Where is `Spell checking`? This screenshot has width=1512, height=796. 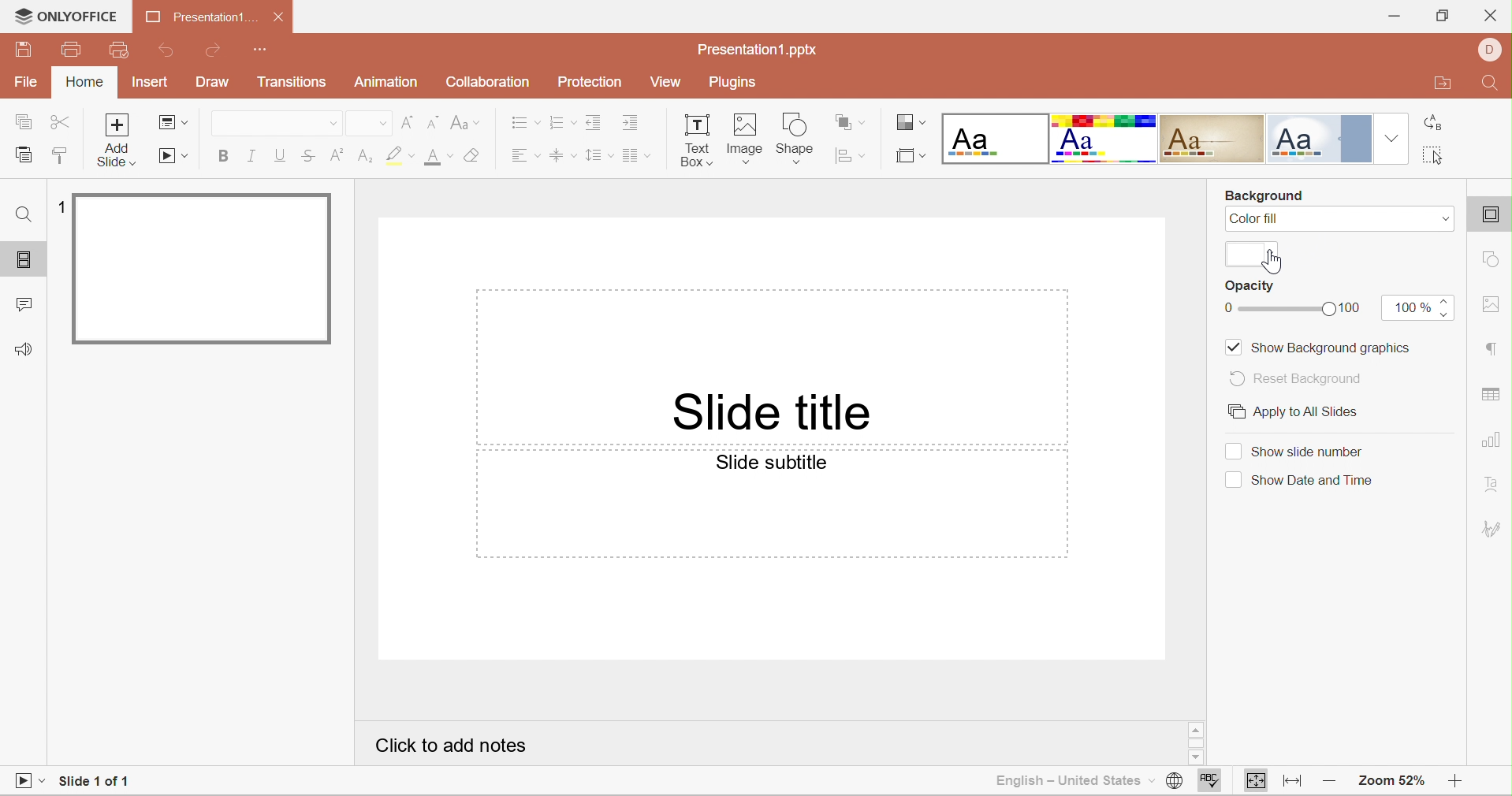 Spell checking is located at coordinates (1210, 782).